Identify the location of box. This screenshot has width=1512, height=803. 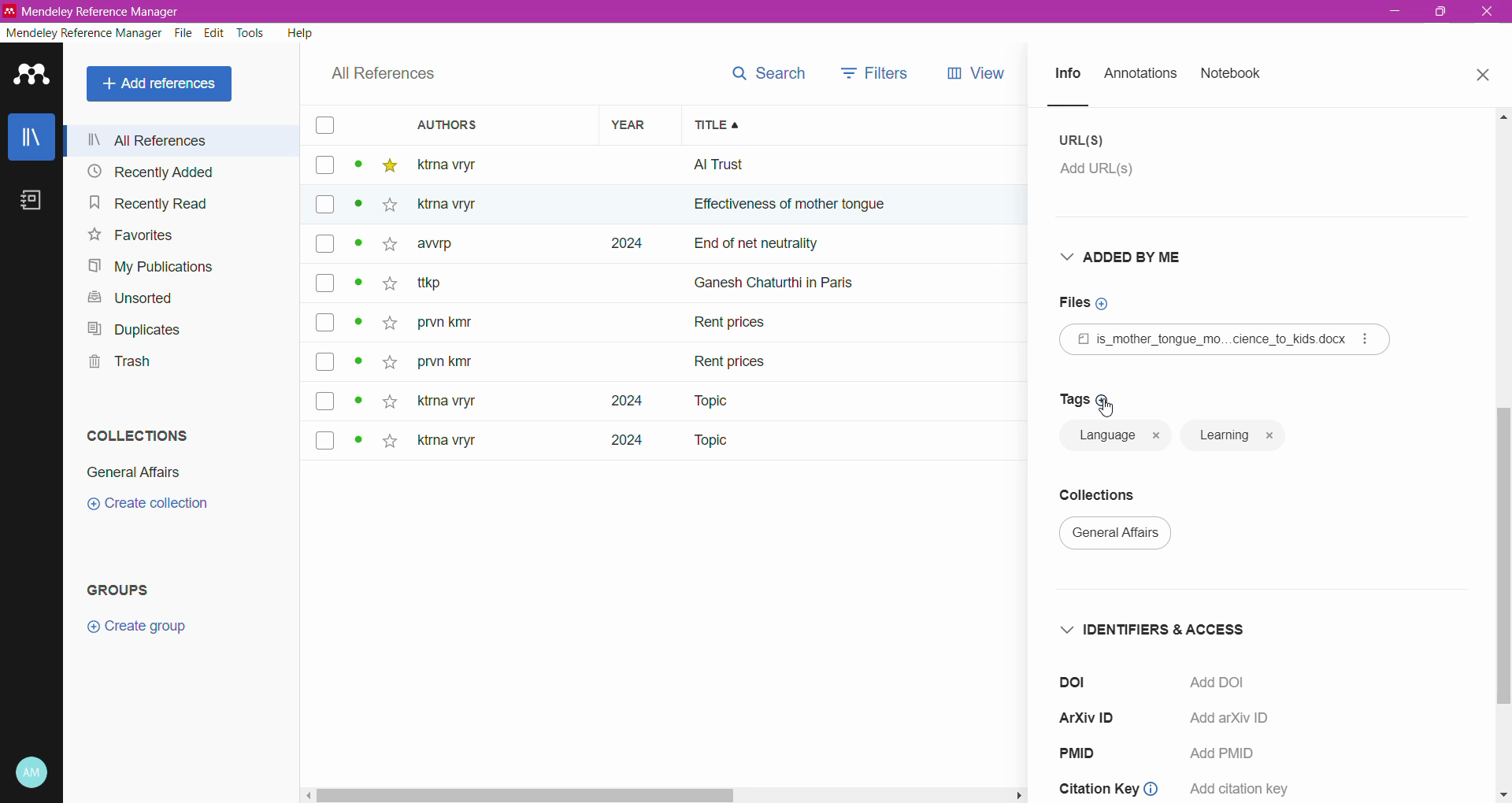
(325, 322).